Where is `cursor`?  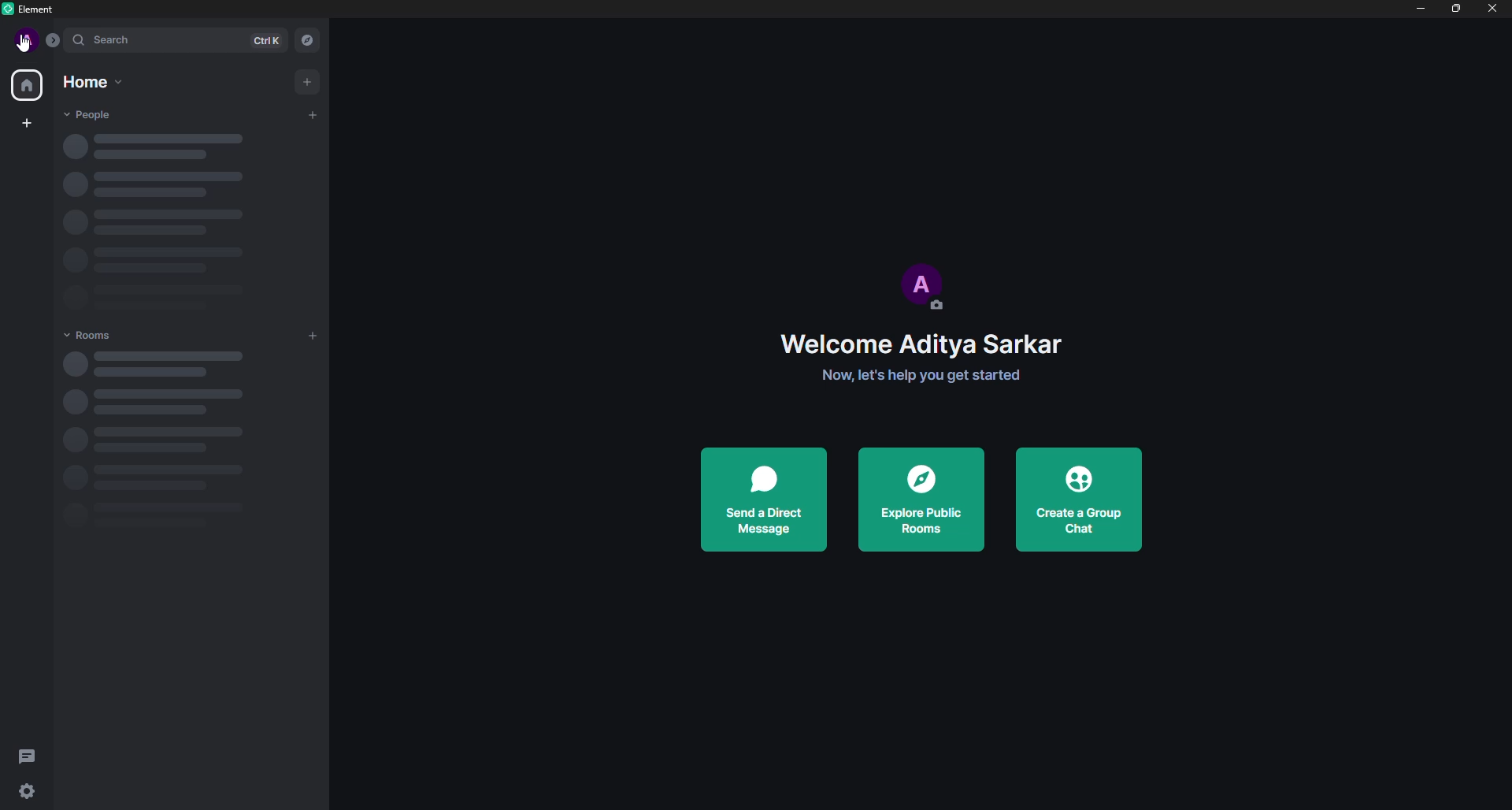
cursor is located at coordinates (24, 43).